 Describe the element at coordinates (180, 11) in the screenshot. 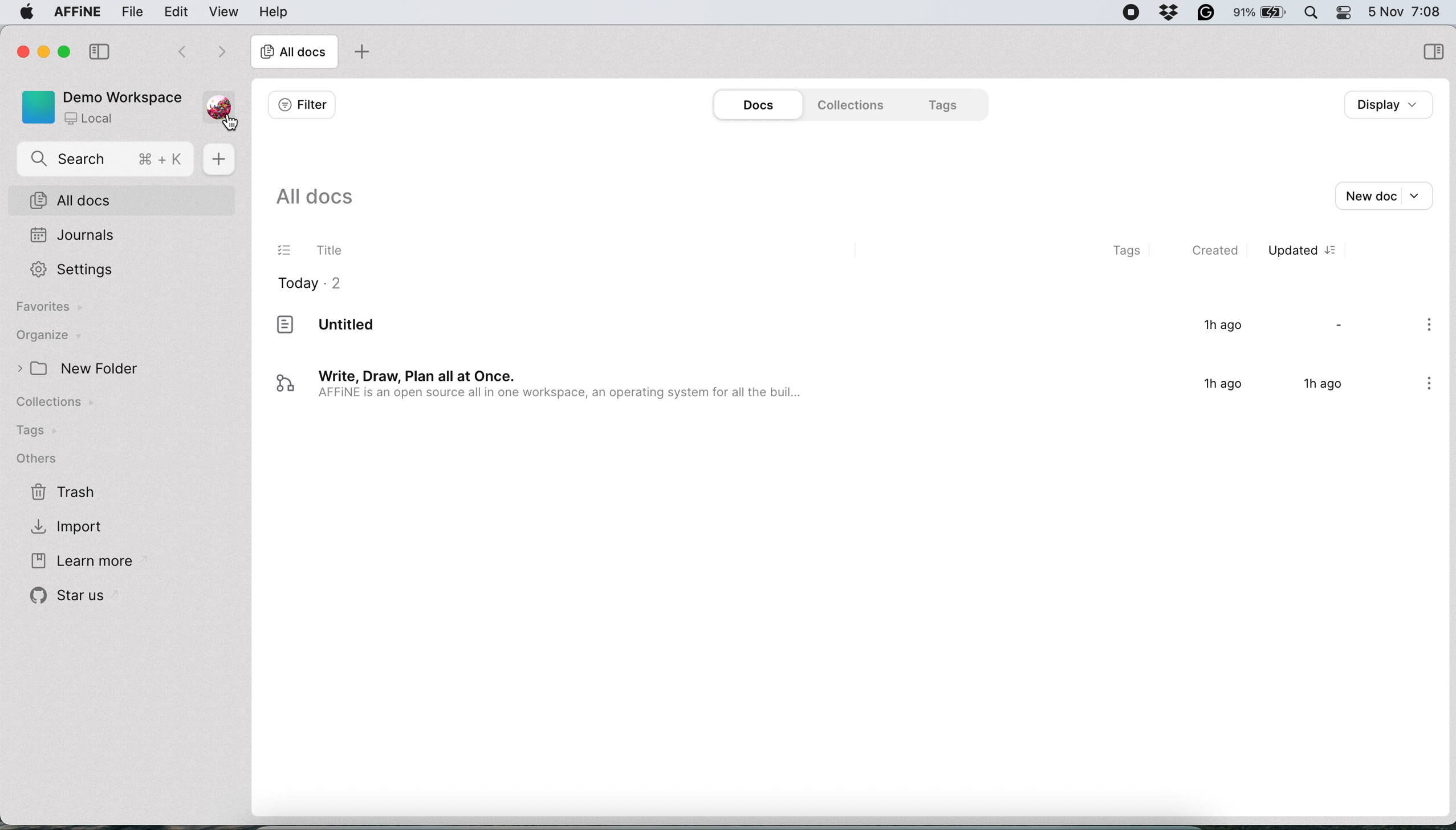

I see `edit` at that location.